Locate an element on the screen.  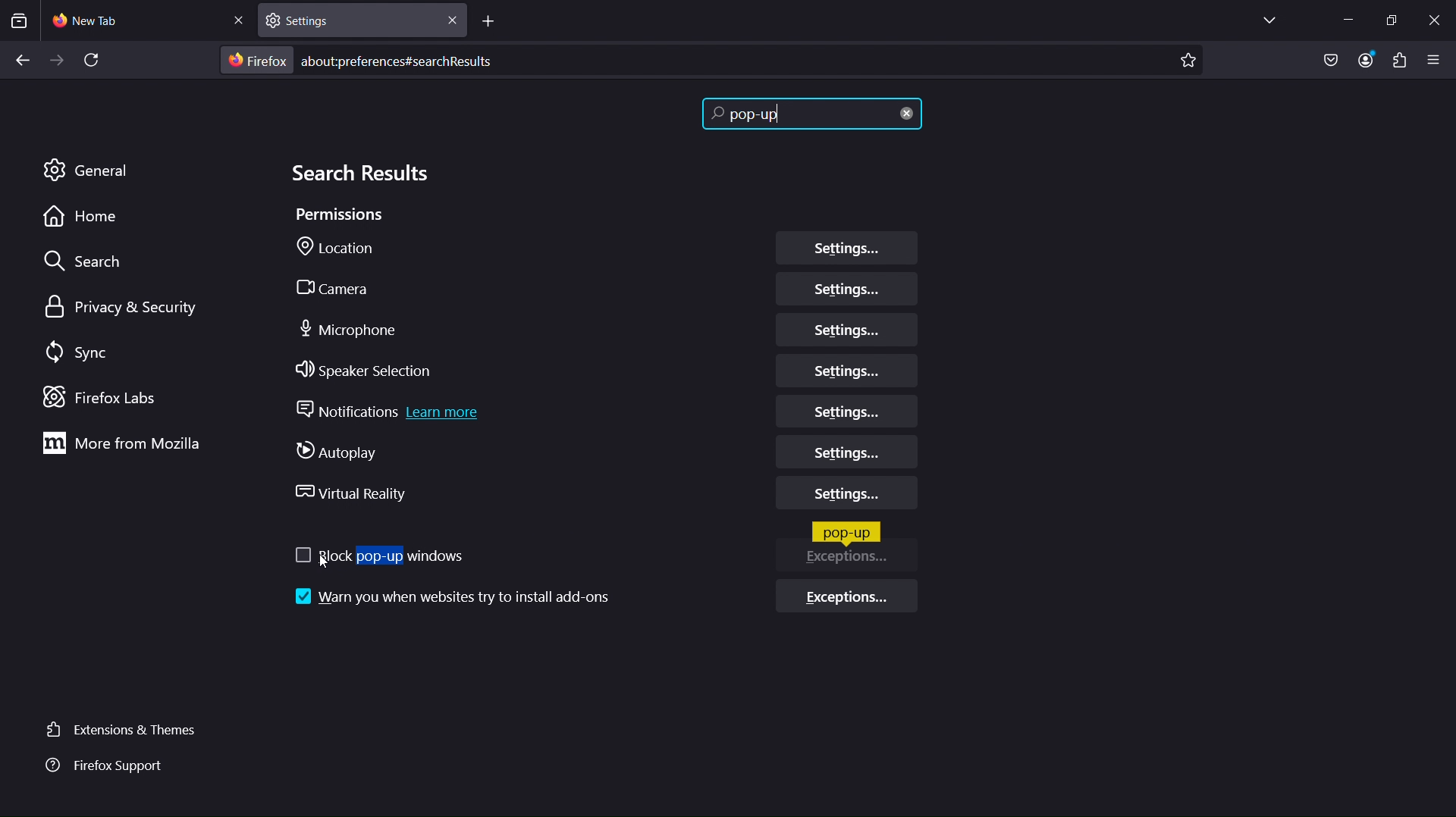
Firefox Labs is located at coordinates (103, 397).